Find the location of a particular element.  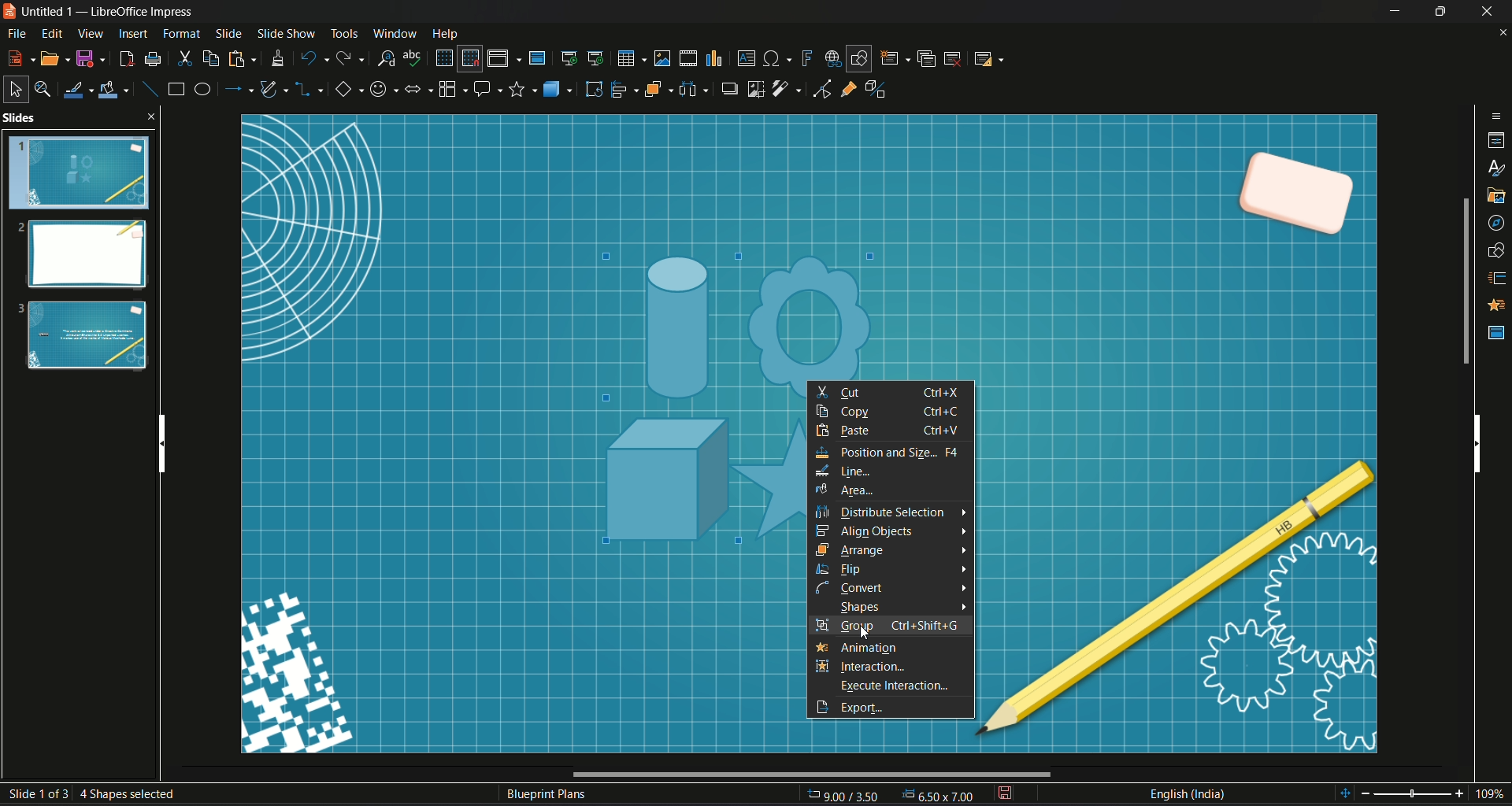

slide layout is located at coordinates (987, 58).